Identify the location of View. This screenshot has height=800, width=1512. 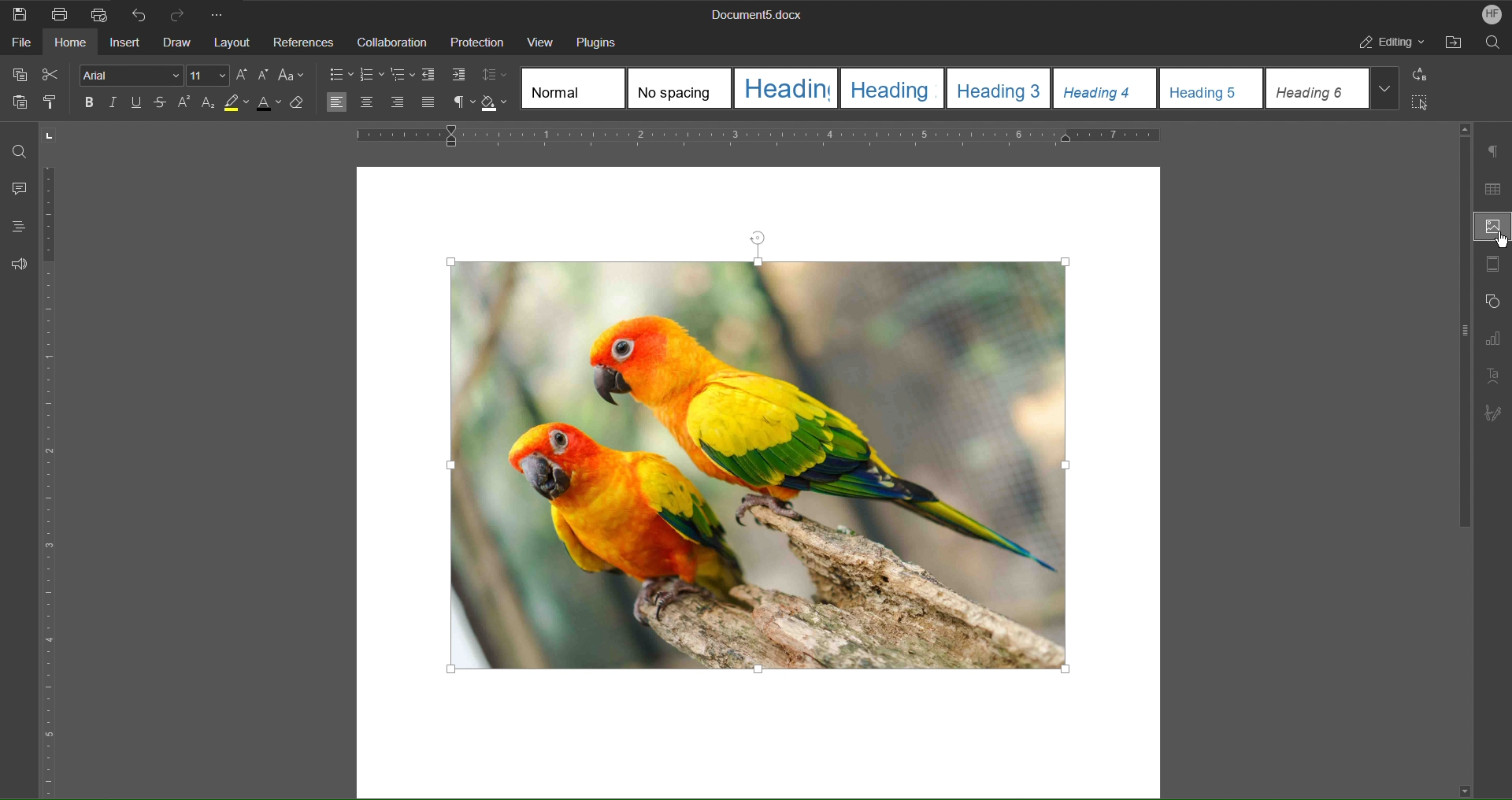
(540, 41).